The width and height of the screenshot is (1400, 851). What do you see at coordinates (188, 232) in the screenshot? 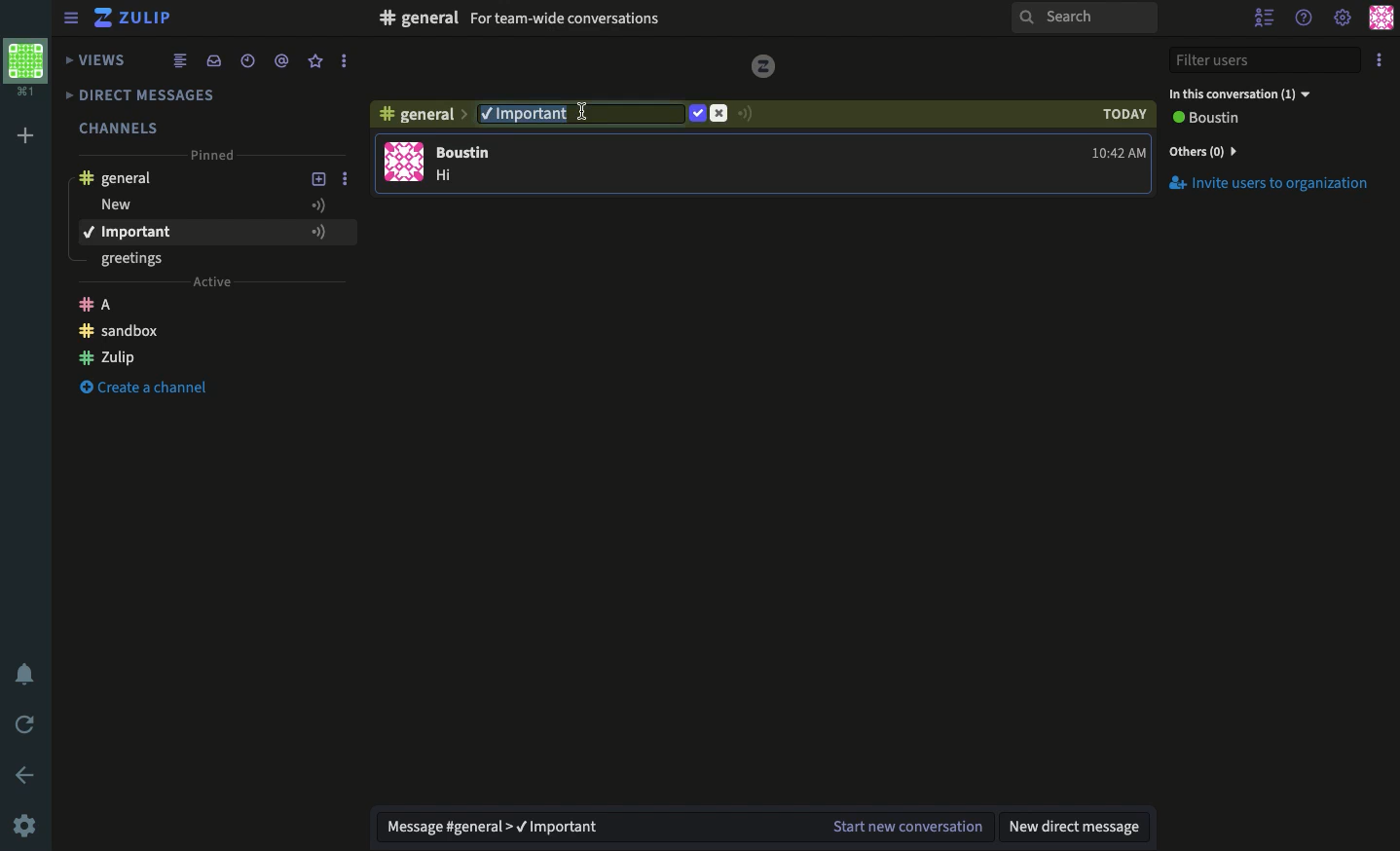
I see `important` at bounding box center [188, 232].